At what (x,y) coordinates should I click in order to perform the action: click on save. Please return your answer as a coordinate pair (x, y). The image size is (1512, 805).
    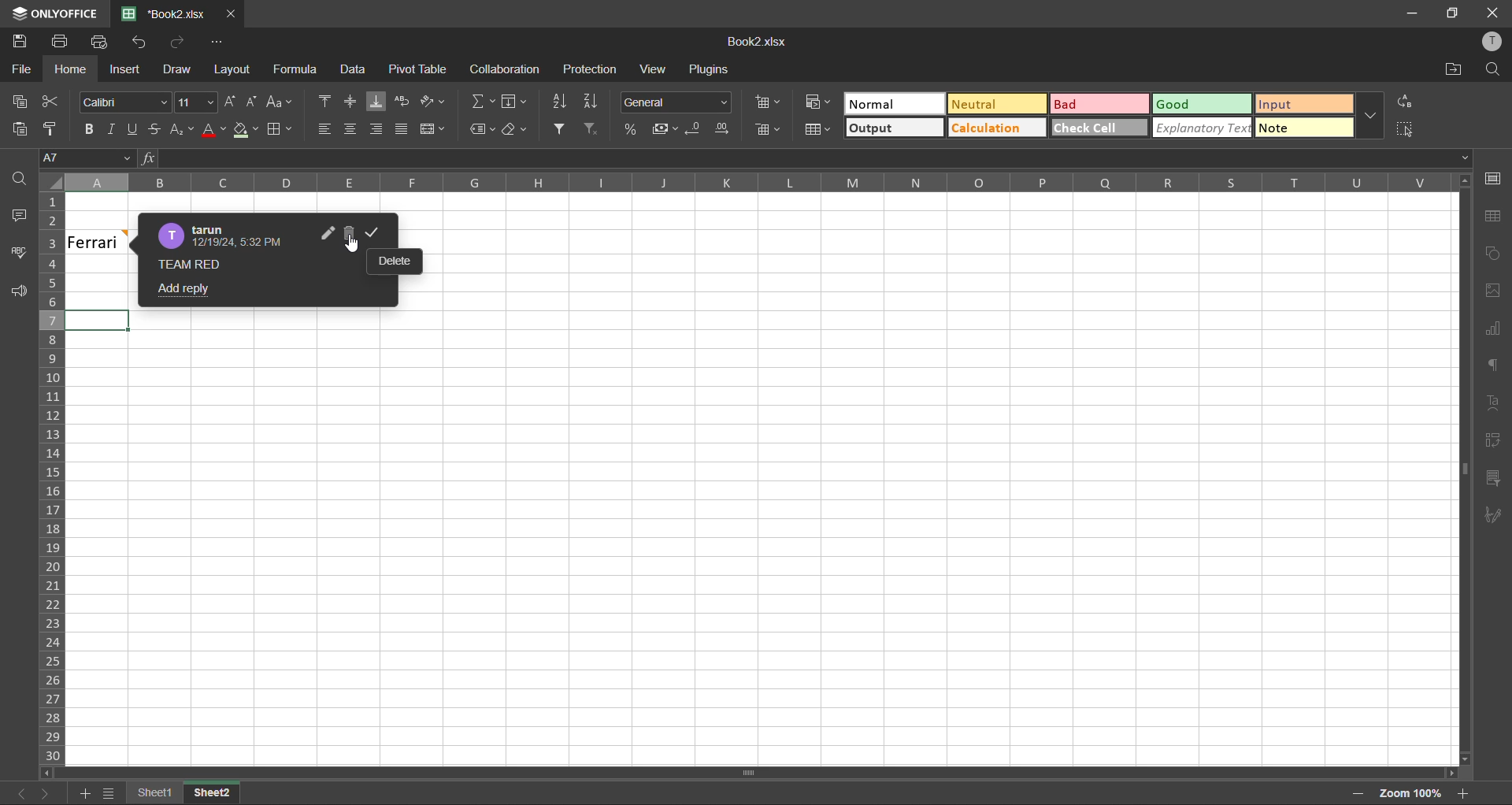
    Looking at the image, I should click on (17, 42).